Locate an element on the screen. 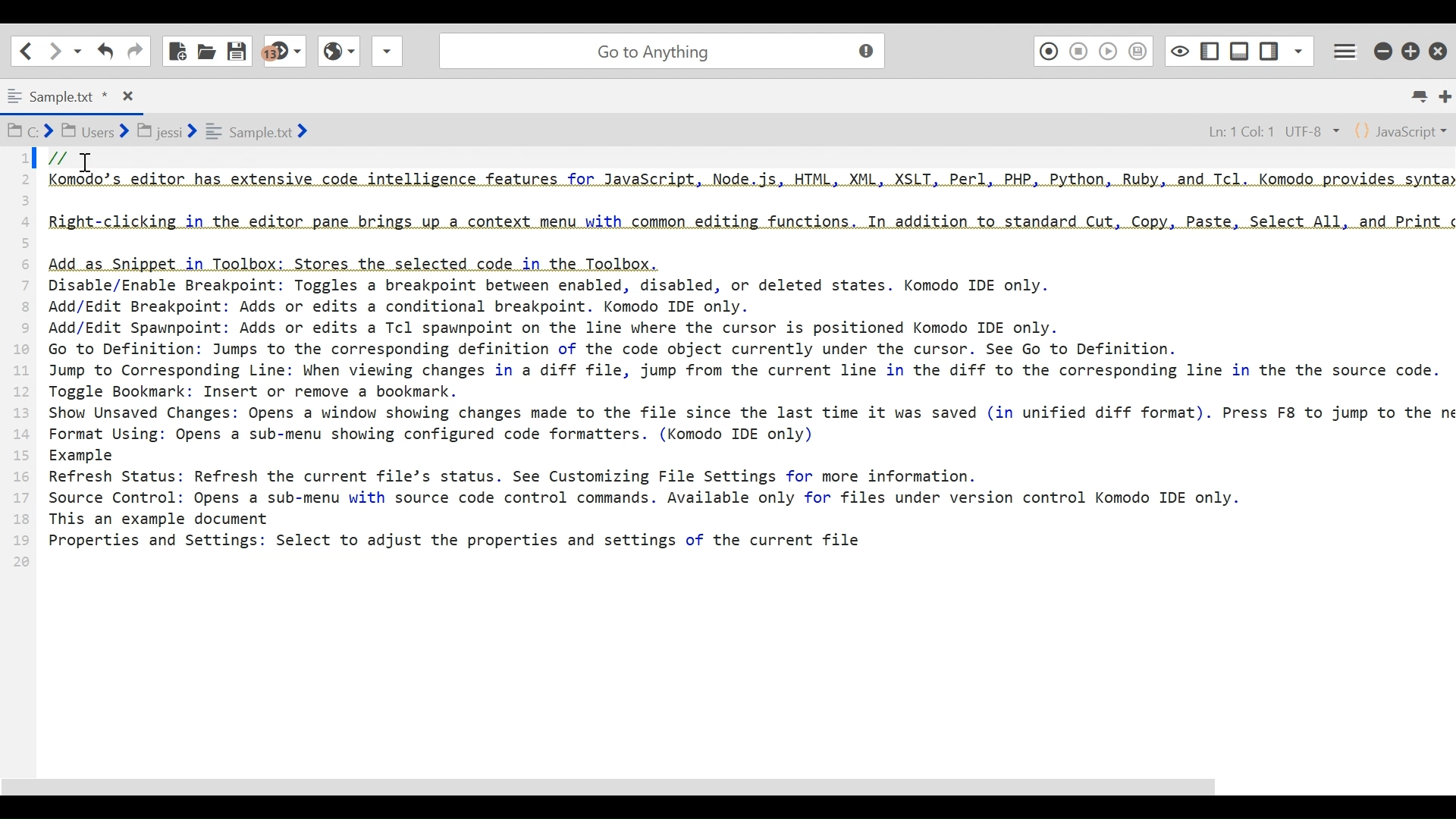 This screenshot has width=1456, height=819. List all tabs is located at coordinates (1423, 96).